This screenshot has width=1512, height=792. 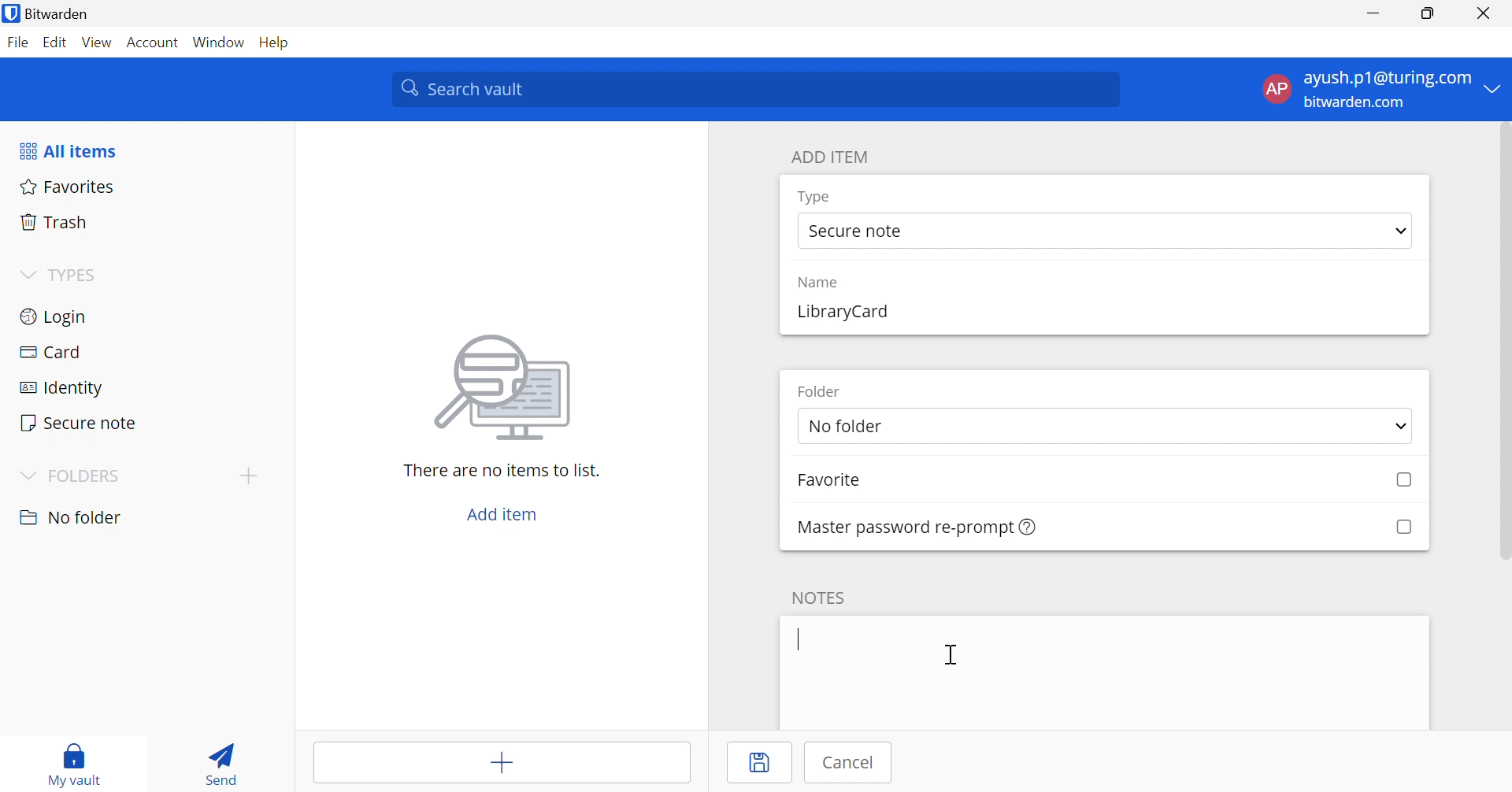 What do you see at coordinates (72, 476) in the screenshot?
I see `FOLDERS` at bounding box center [72, 476].